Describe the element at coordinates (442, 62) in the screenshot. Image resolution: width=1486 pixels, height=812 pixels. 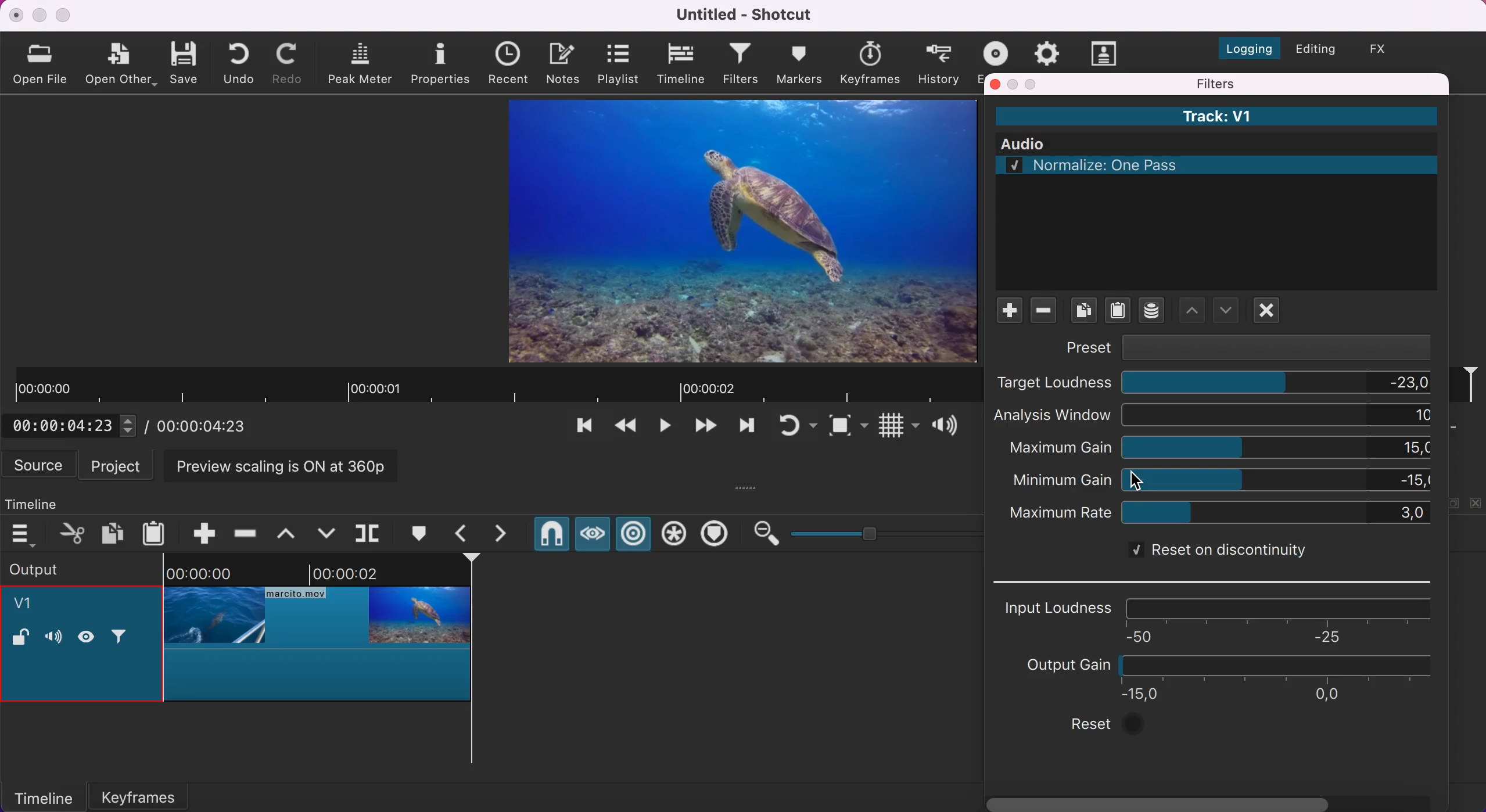
I see `properties` at that location.